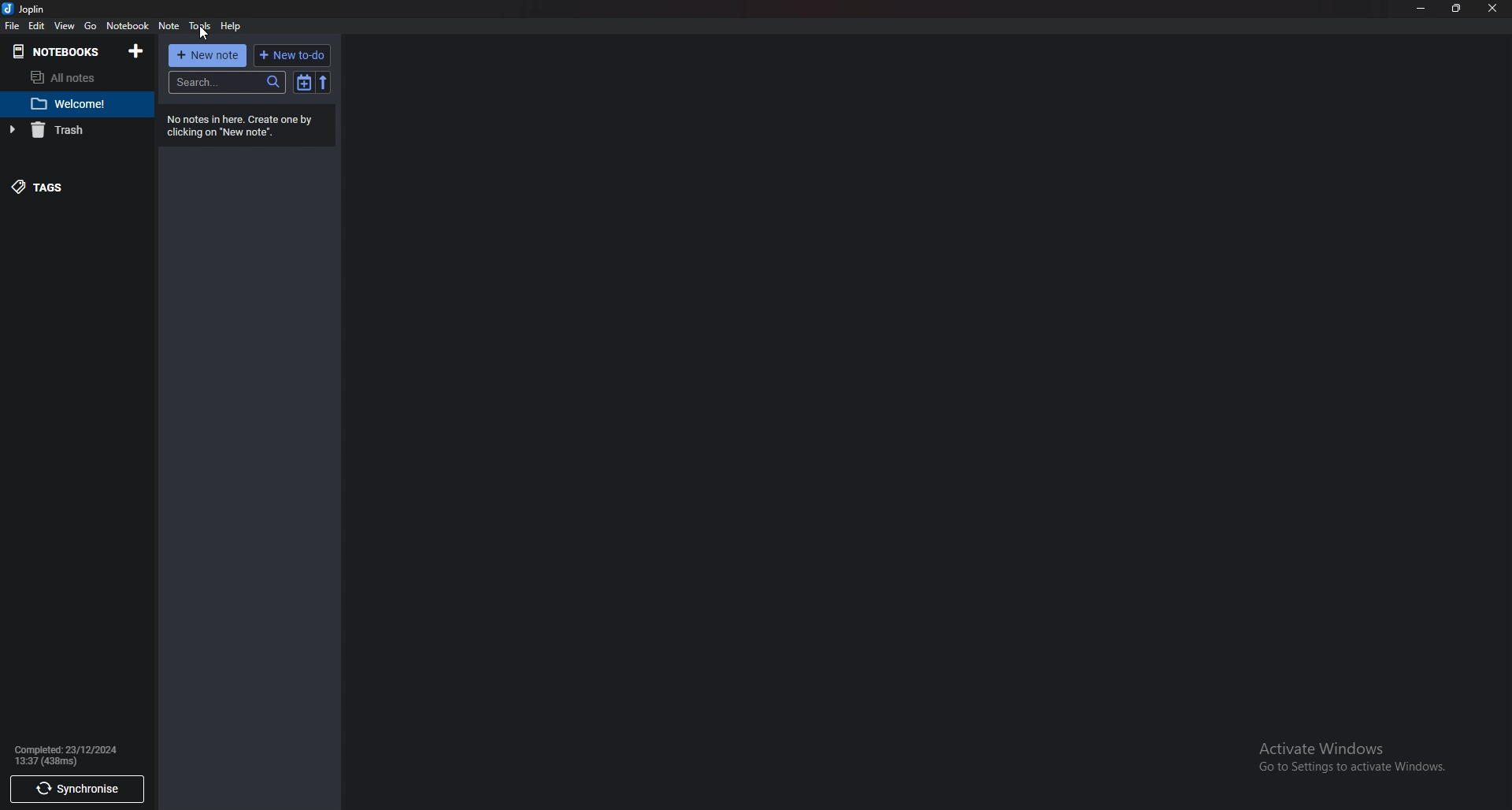 The height and width of the screenshot is (810, 1512). I want to click on Resize, so click(1455, 8).